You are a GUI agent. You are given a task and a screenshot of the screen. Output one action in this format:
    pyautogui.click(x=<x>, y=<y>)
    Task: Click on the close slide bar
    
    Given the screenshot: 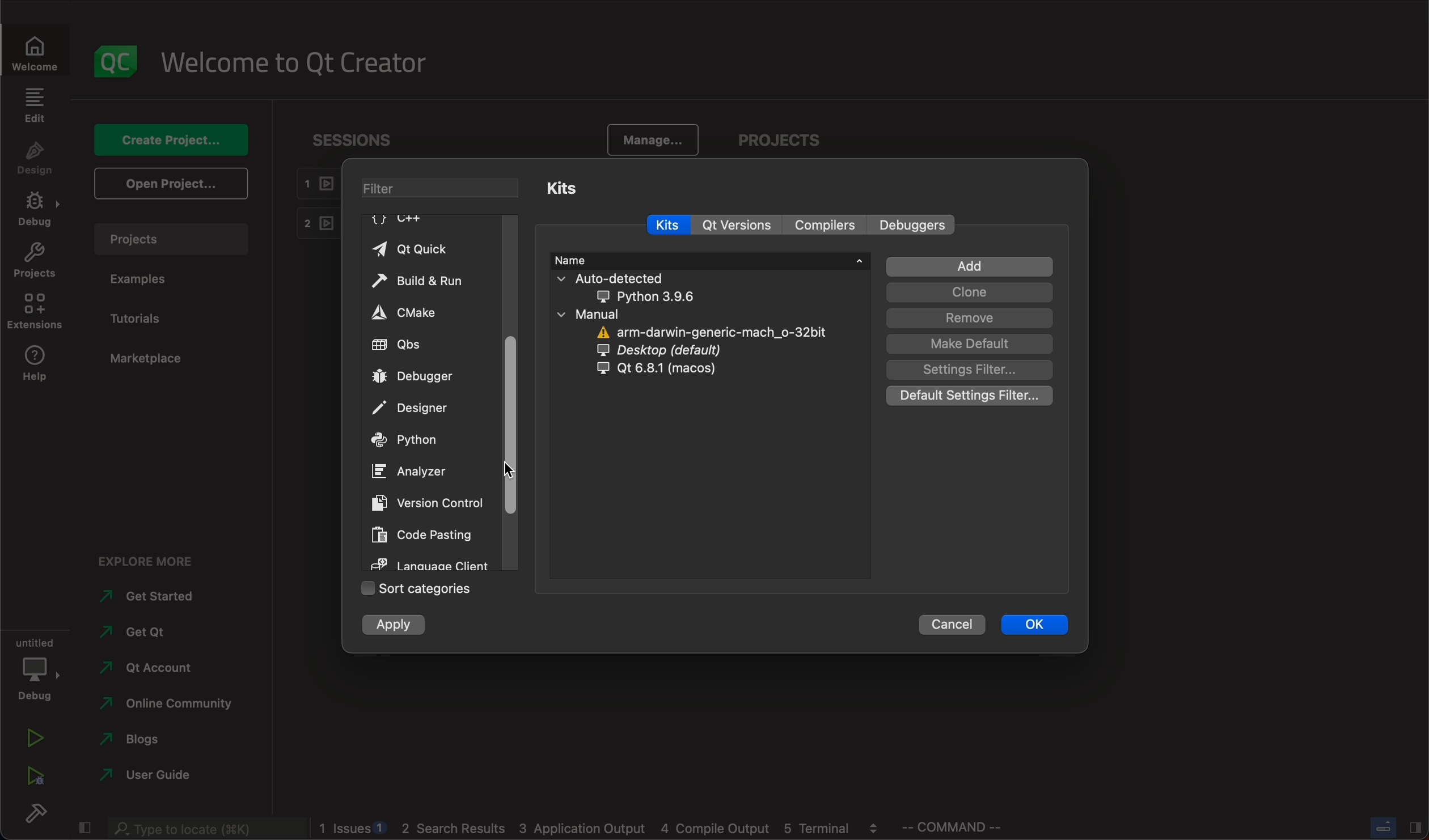 What is the action you would take?
    pyautogui.click(x=84, y=827)
    